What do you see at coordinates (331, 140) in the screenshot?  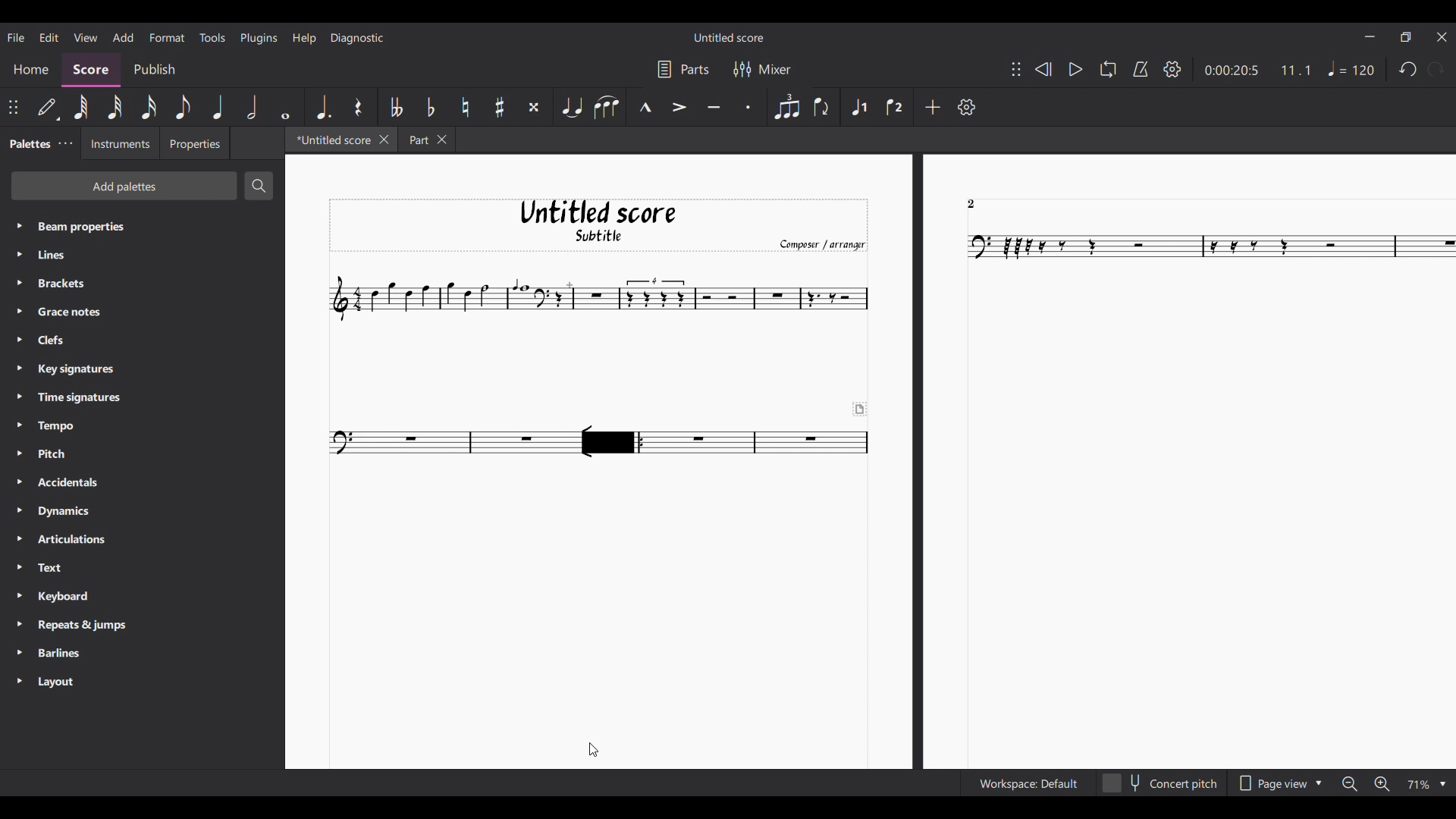 I see `Current tab highlighted` at bounding box center [331, 140].